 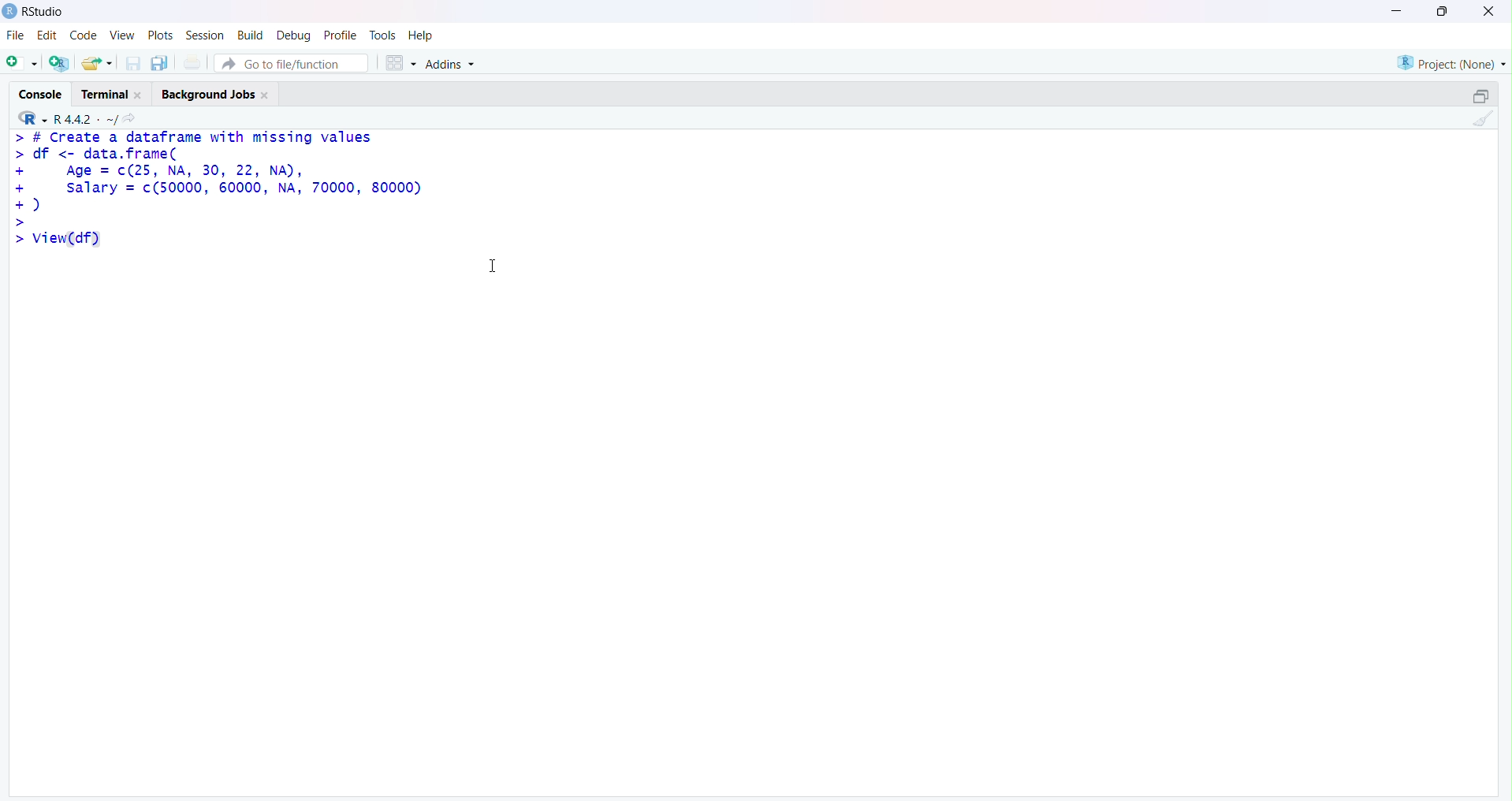 What do you see at coordinates (21, 58) in the screenshot?
I see `New File` at bounding box center [21, 58].